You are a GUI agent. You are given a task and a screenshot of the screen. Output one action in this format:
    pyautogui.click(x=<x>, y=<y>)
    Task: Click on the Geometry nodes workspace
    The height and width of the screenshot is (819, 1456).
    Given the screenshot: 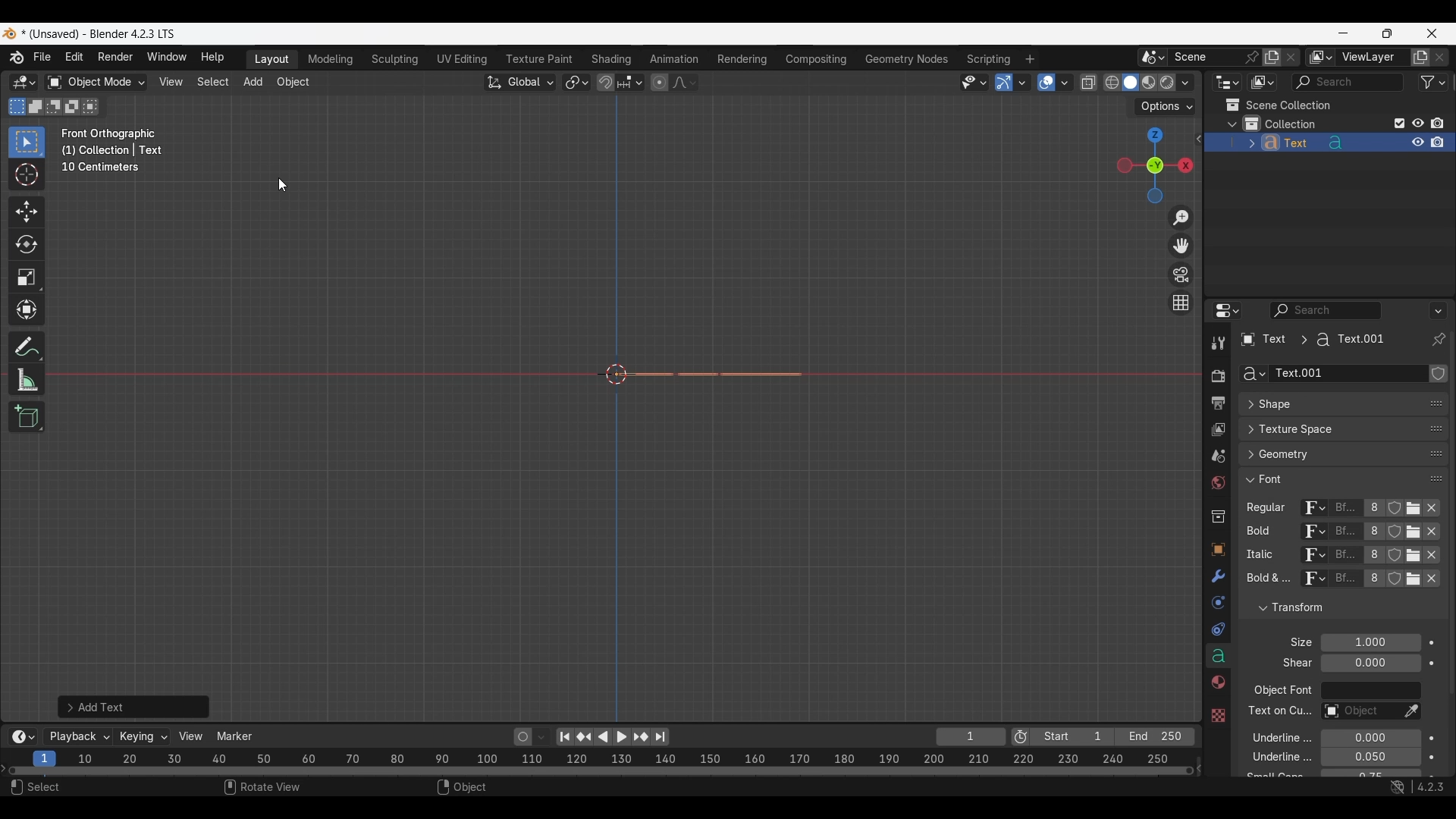 What is the action you would take?
    pyautogui.click(x=906, y=58)
    